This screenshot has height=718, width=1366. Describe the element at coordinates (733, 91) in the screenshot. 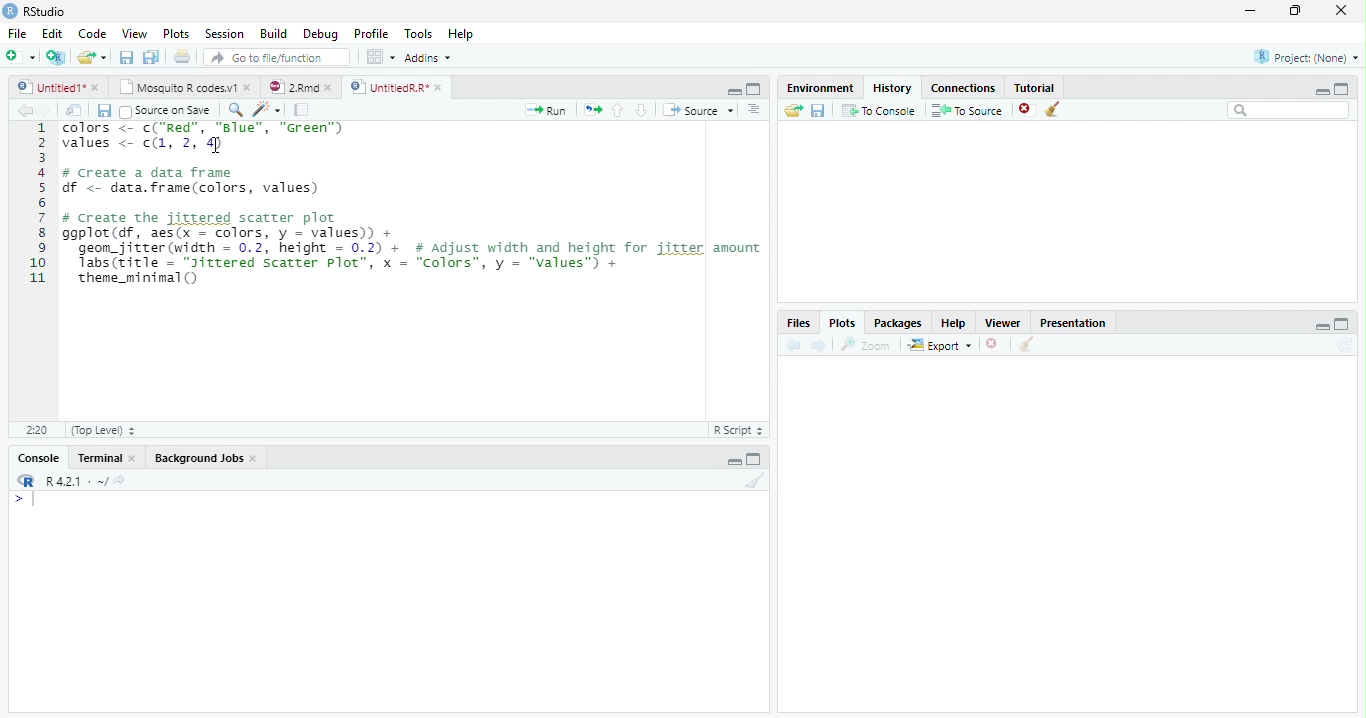

I see `Minimize` at that location.